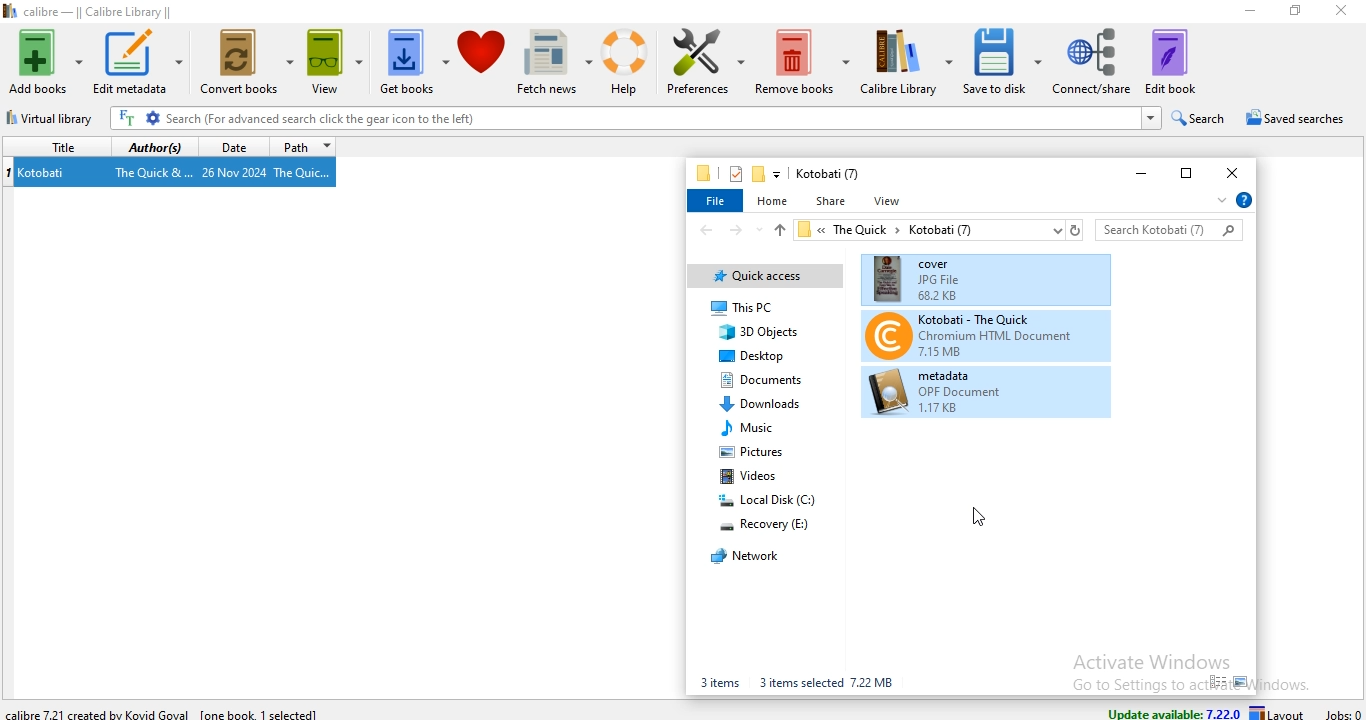  Describe the element at coordinates (1343, 711) in the screenshot. I see `jobs: 0` at that location.